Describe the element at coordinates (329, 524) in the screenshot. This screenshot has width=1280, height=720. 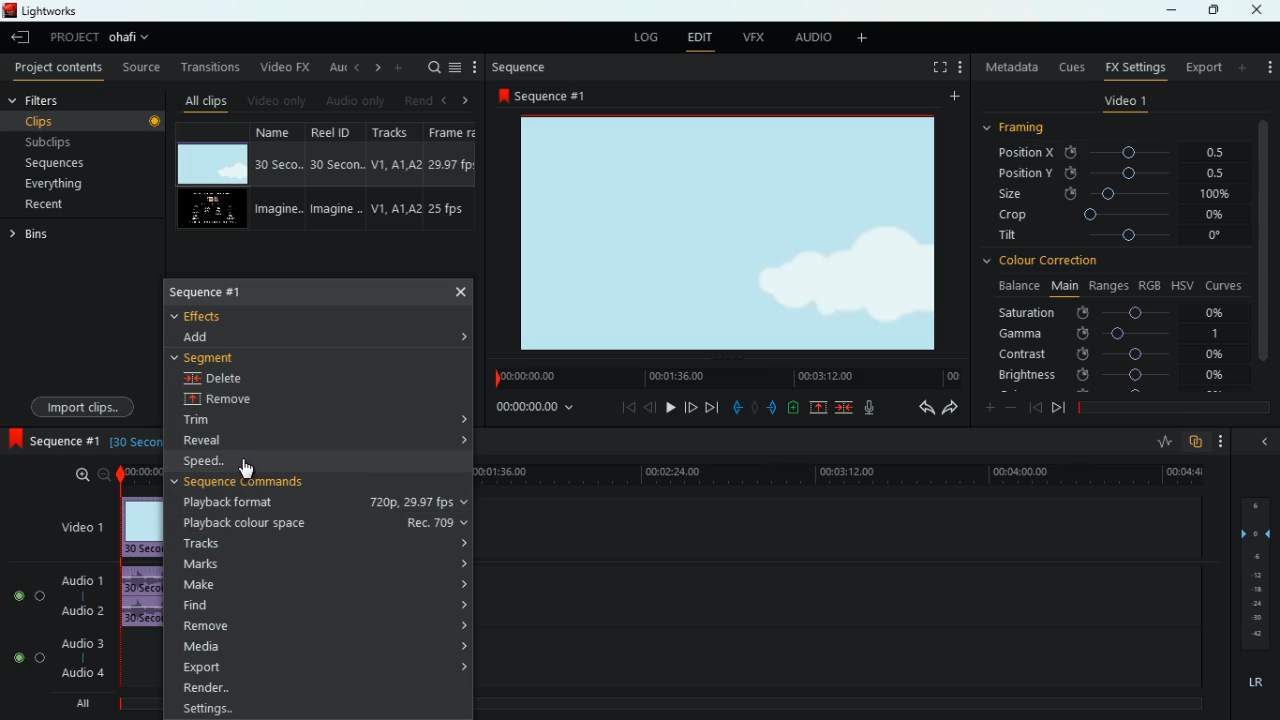
I see `playback colour space` at that location.